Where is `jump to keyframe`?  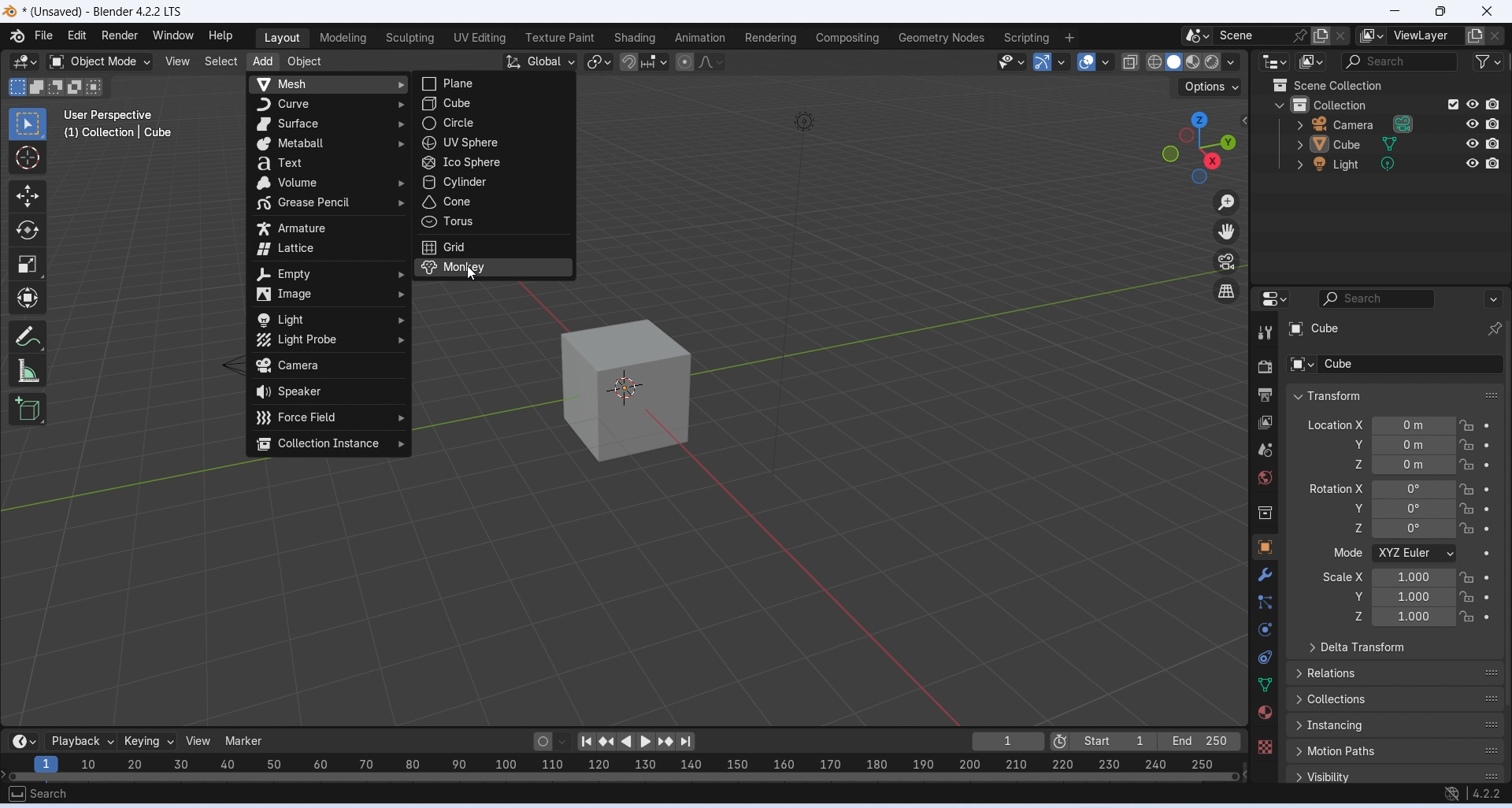 jump to keyframe is located at coordinates (667, 742).